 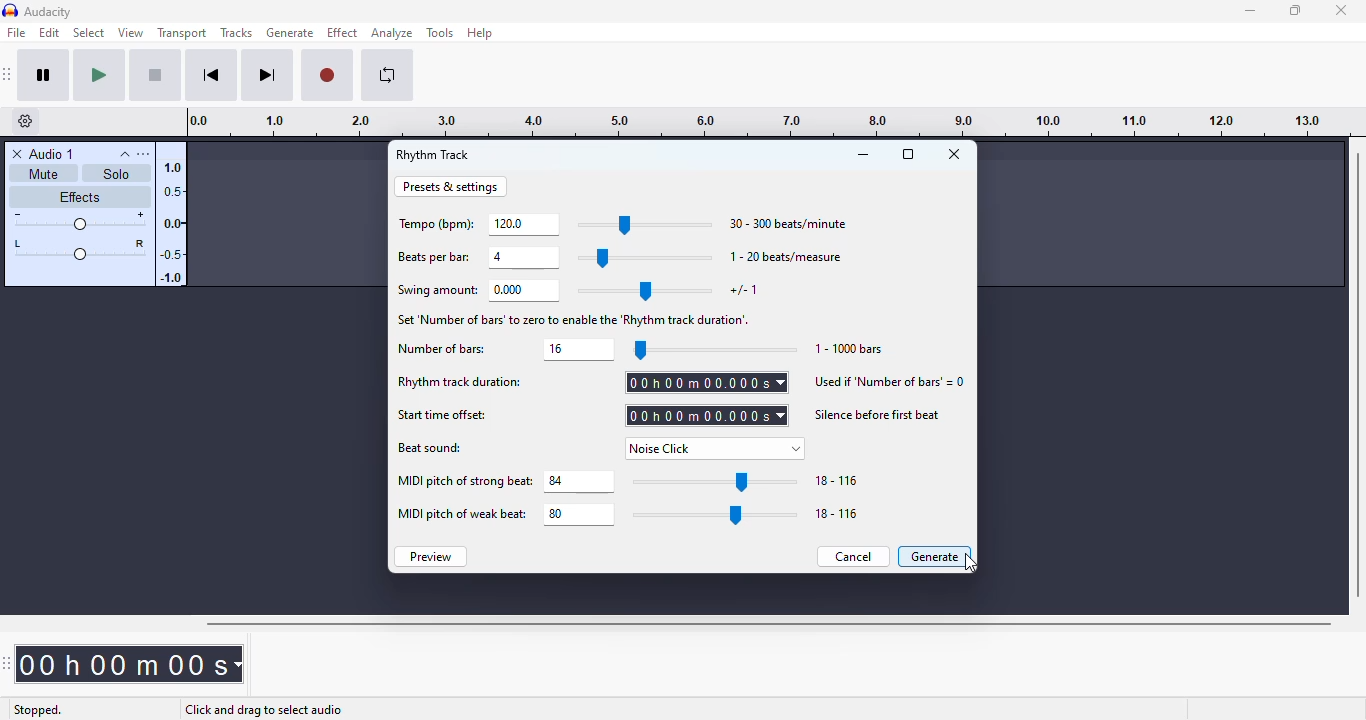 I want to click on slider, so click(x=645, y=258).